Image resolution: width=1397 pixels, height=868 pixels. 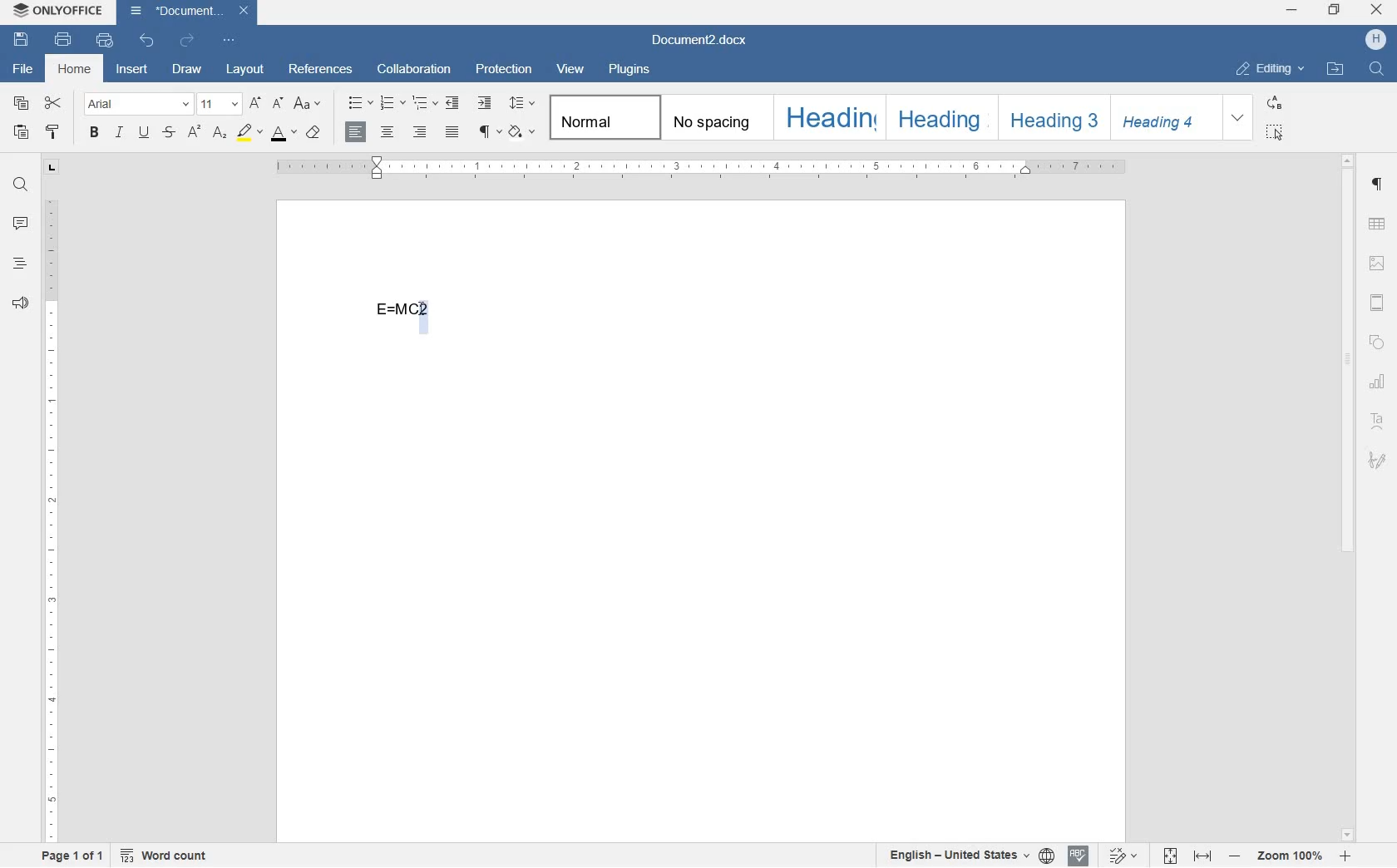 I want to click on shape, so click(x=1379, y=343).